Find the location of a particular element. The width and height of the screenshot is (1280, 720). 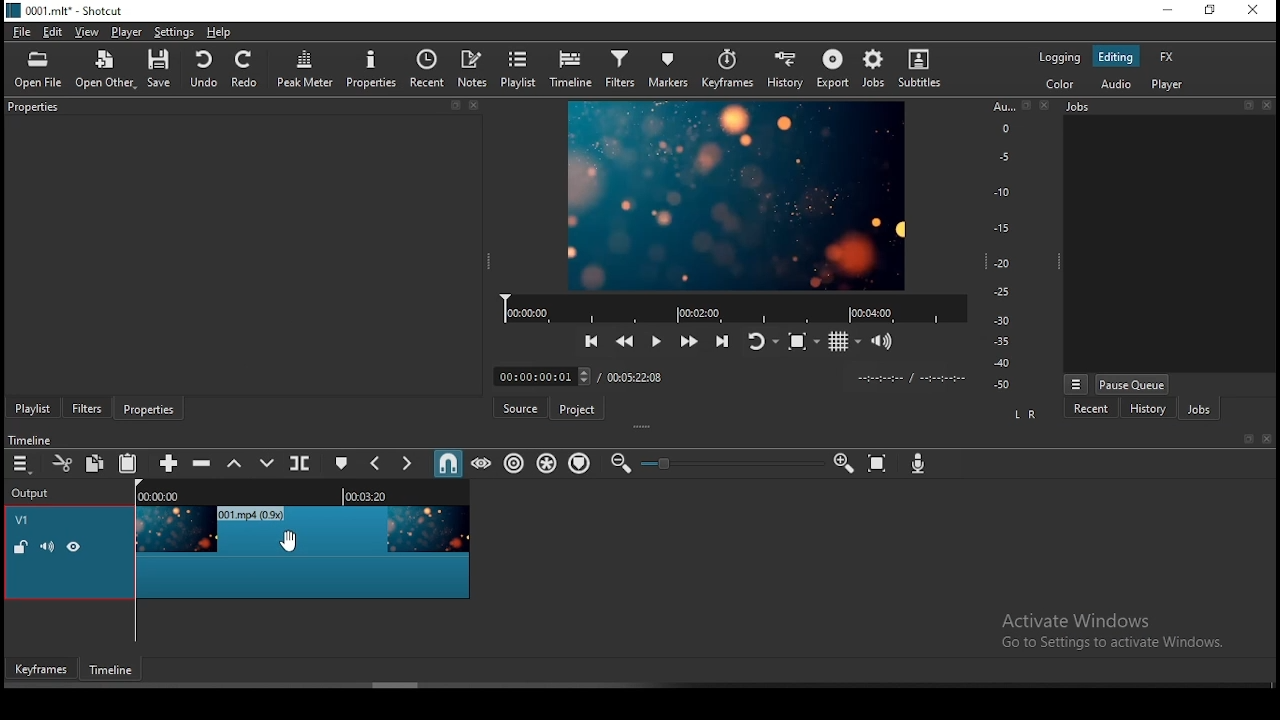

elapsed time is located at coordinates (540, 375).